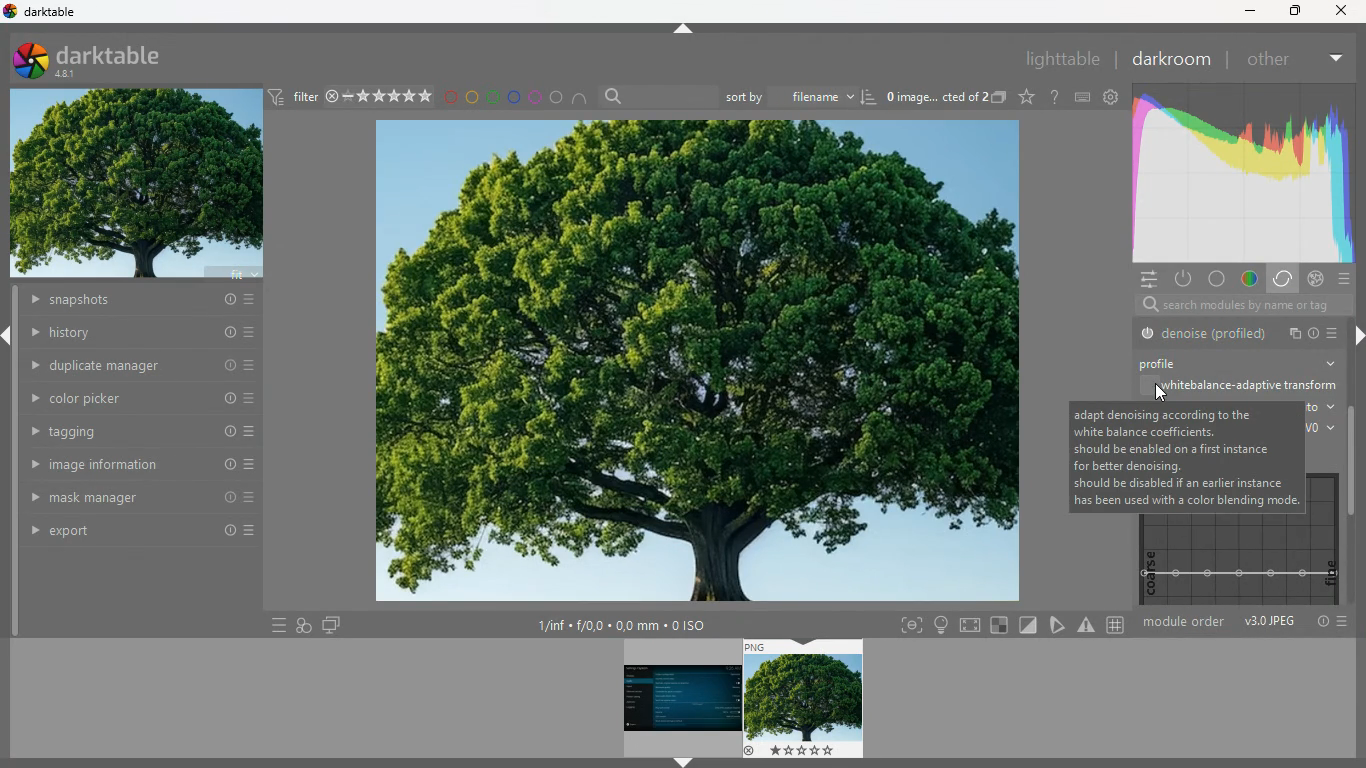 The width and height of the screenshot is (1366, 768). Describe the element at coordinates (381, 97) in the screenshot. I see `rating` at that location.